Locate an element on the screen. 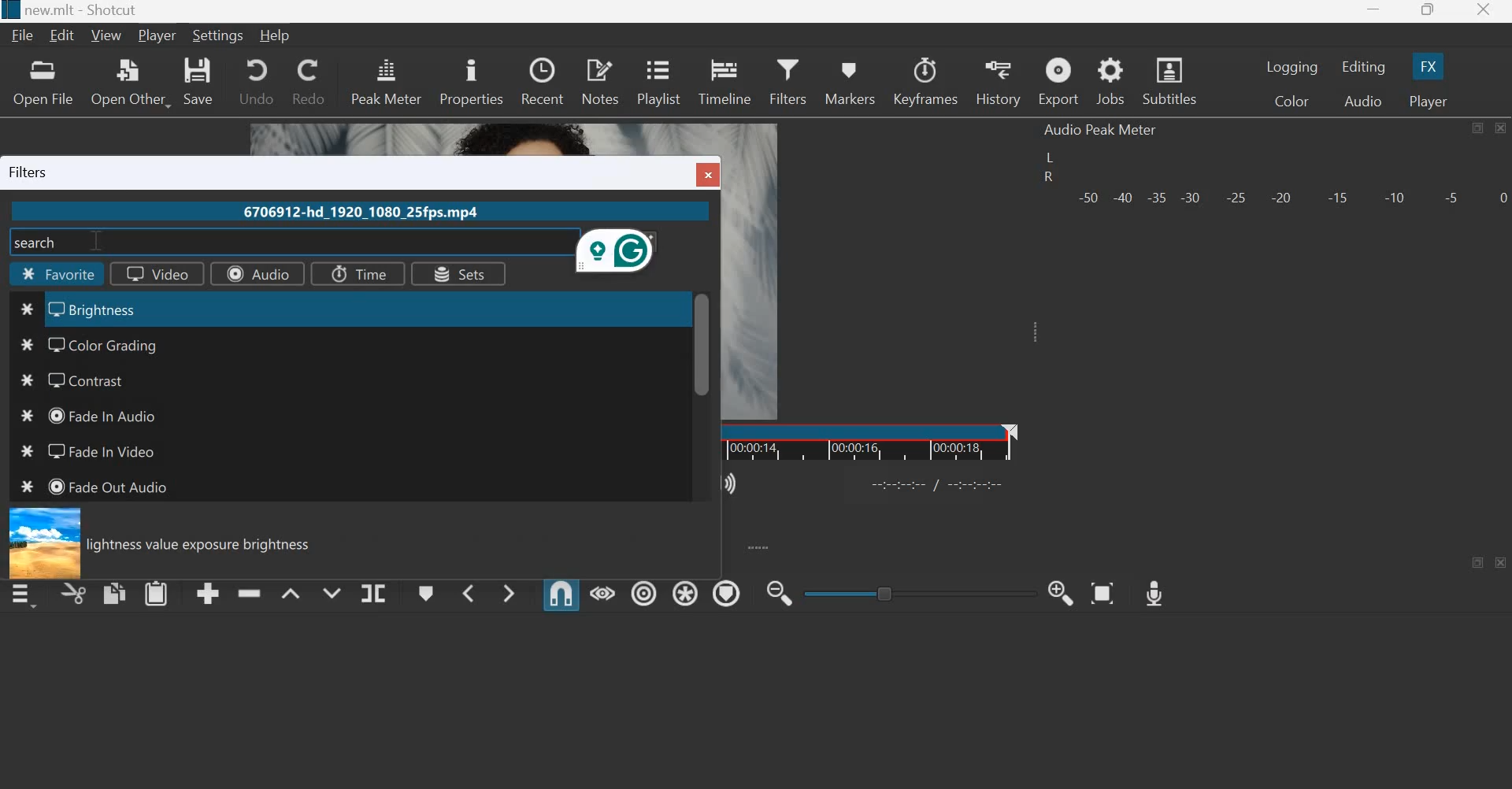 The height and width of the screenshot is (789, 1512). Color is located at coordinates (1295, 102).